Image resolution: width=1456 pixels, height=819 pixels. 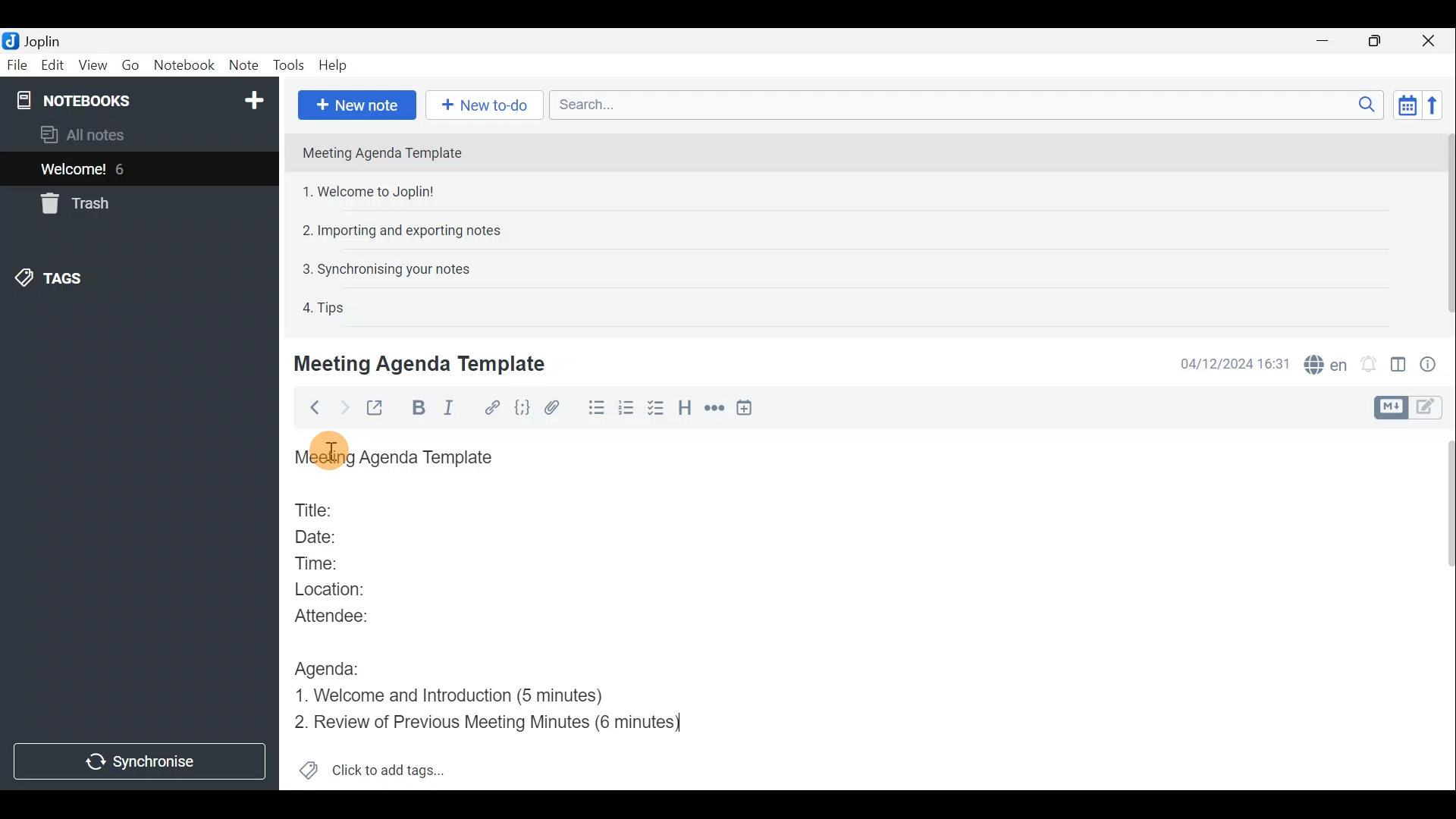 What do you see at coordinates (72, 203) in the screenshot?
I see `Trash` at bounding box center [72, 203].